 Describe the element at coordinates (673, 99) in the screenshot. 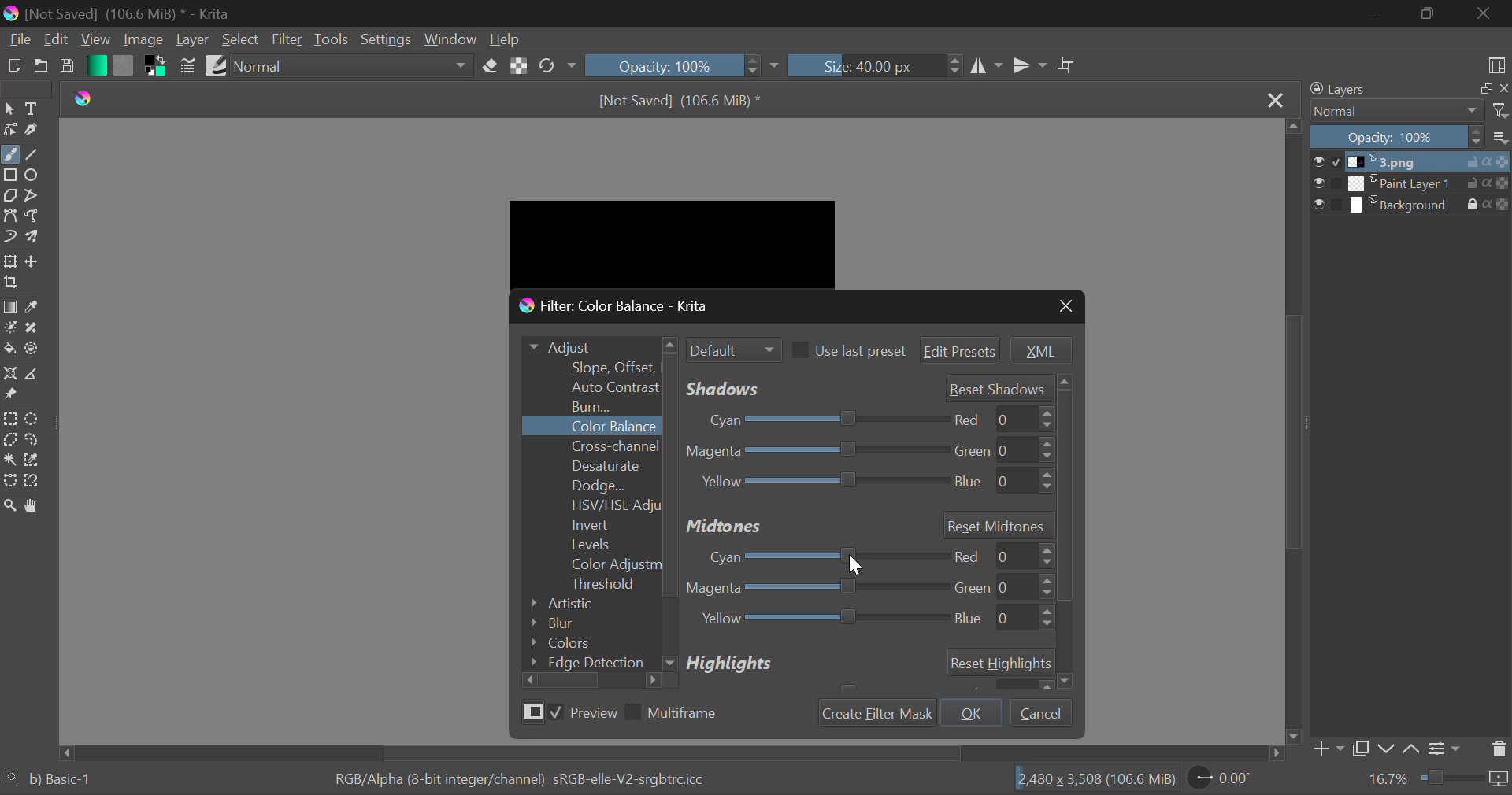

I see `[Not Saved] (106.6 MiB) *` at that location.